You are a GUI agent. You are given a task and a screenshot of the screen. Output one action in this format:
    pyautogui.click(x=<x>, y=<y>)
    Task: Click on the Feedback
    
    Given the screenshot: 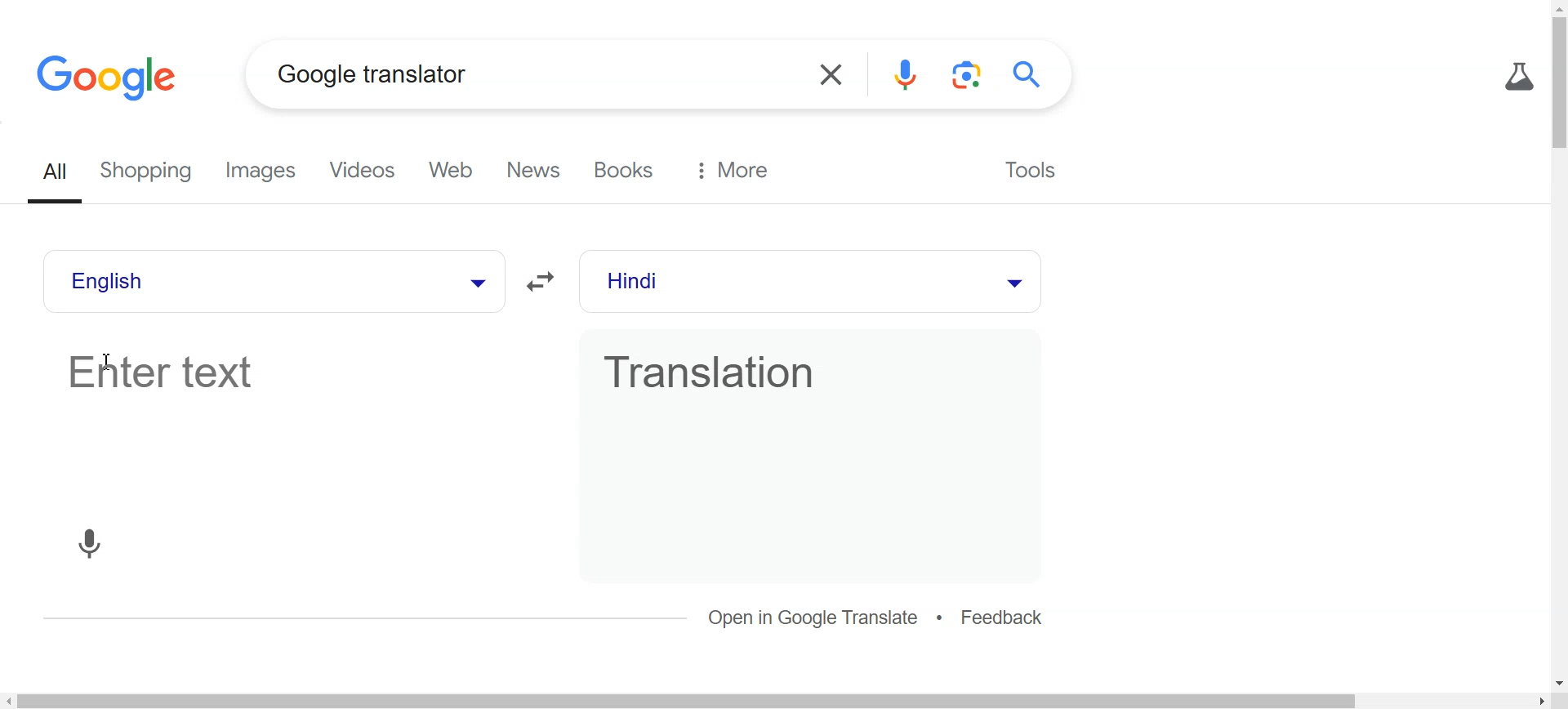 What is the action you would take?
    pyautogui.click(x=1003, y=619)
    